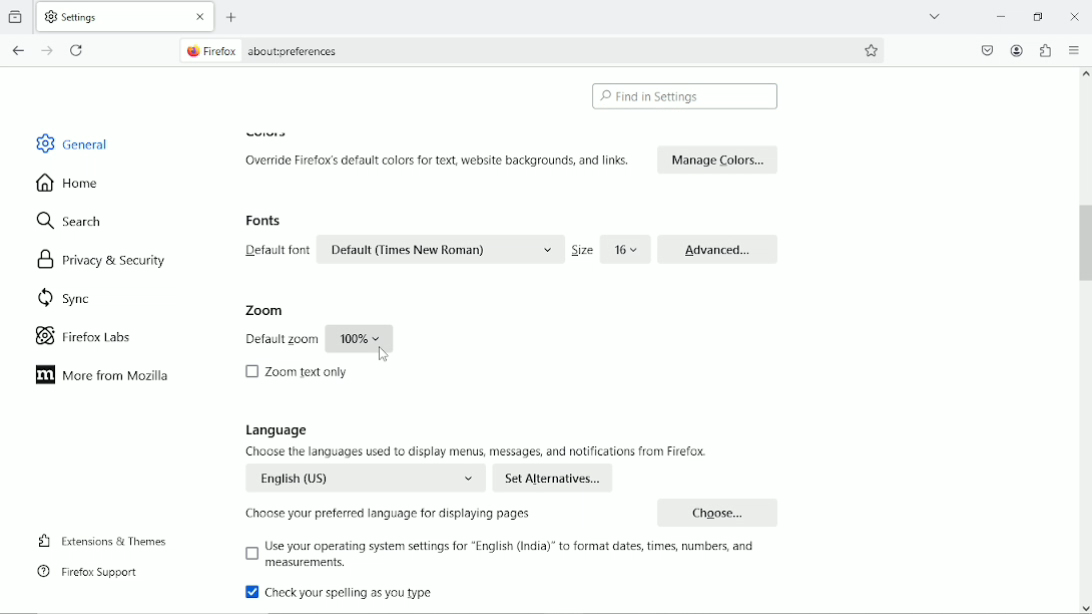 The height and width of the screenshot is (614, 1092). What do you see at coordinates (685, 96) in the screenshot?
I see `Find in Settings` at bounding box center [685, 96].